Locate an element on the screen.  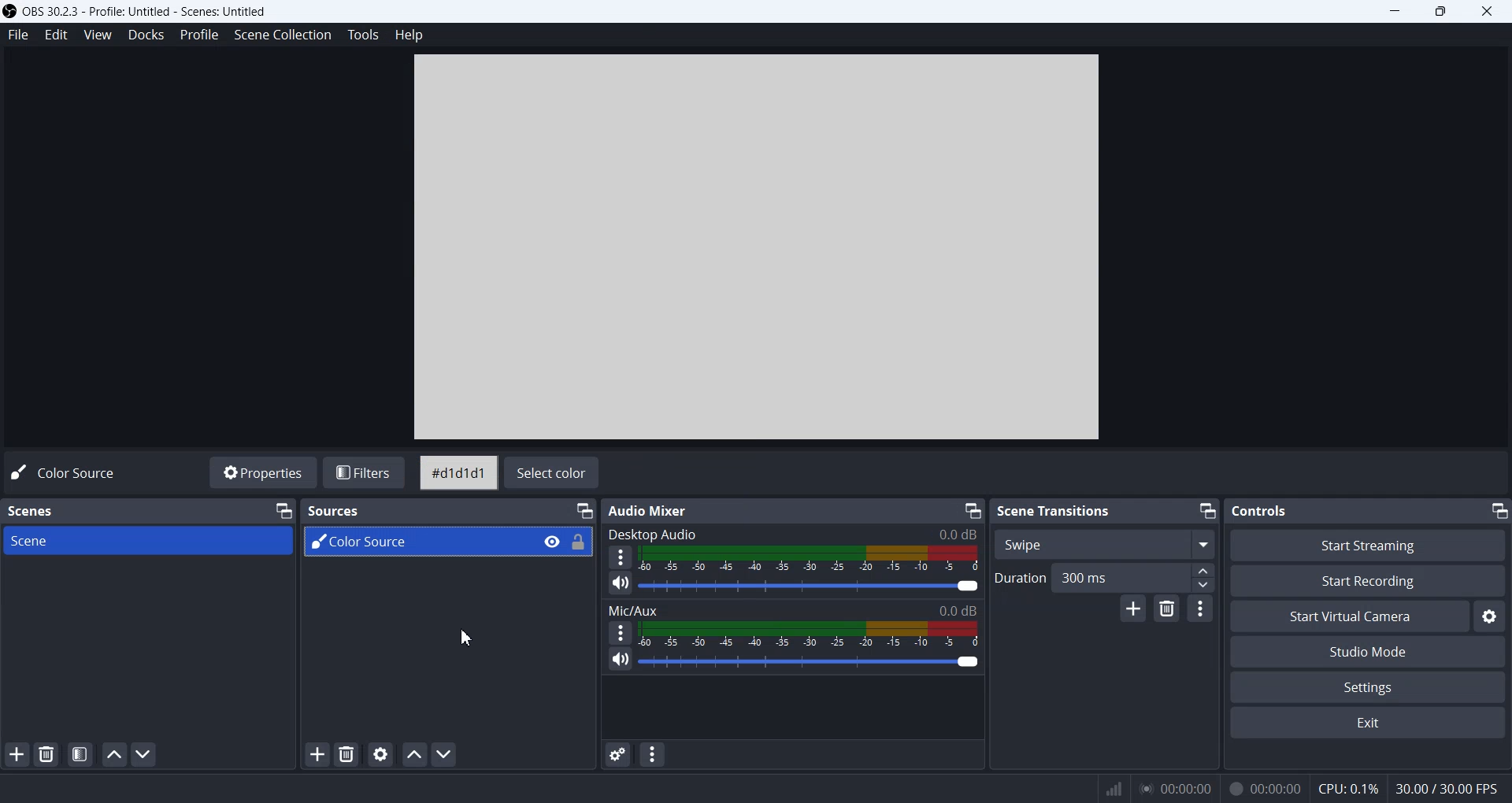
Signals is located at coordinates (1106, 787).